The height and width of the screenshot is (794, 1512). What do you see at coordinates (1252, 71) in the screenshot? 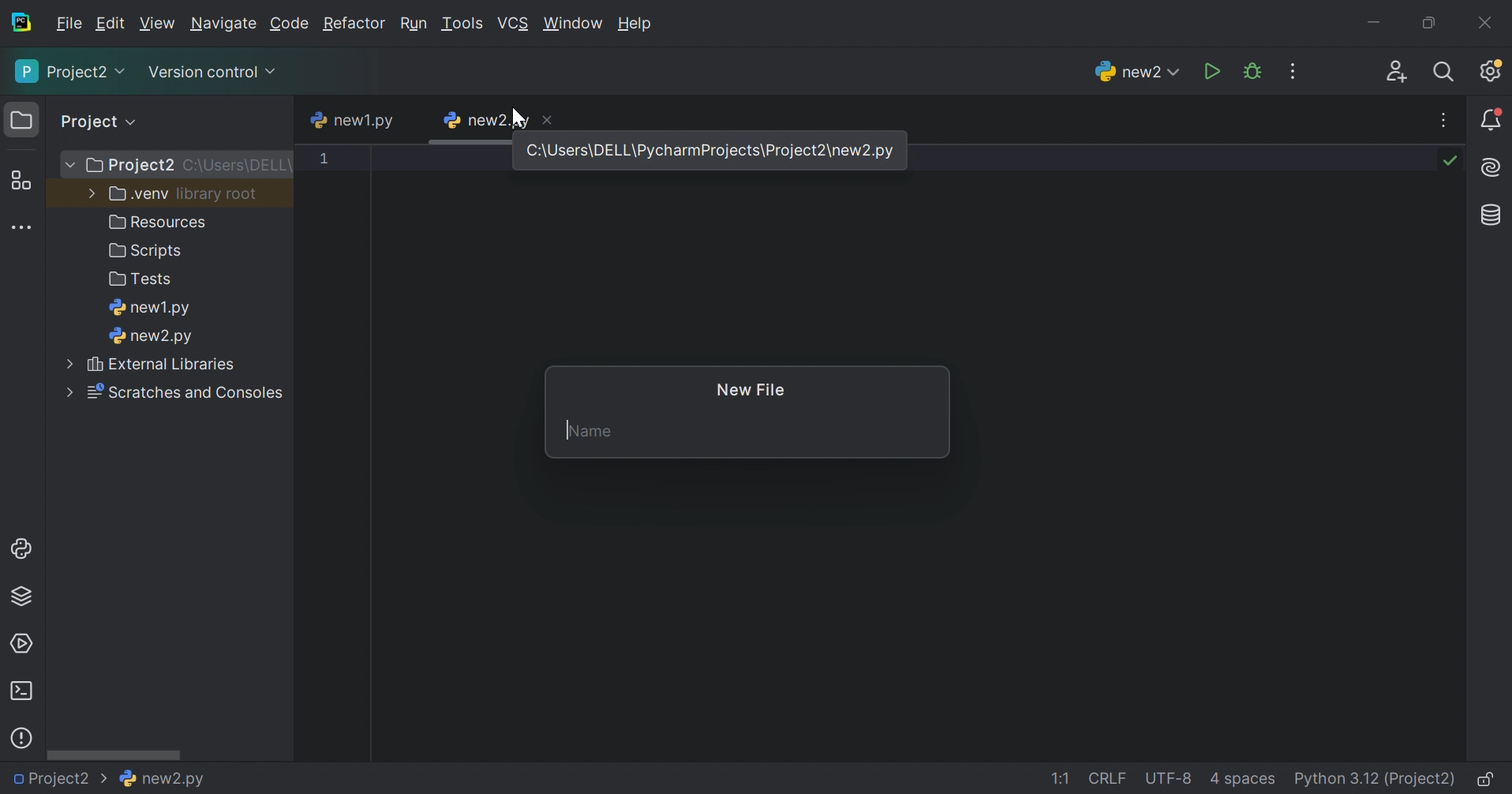
I see `Debug` at bounding box center [1252, 71].